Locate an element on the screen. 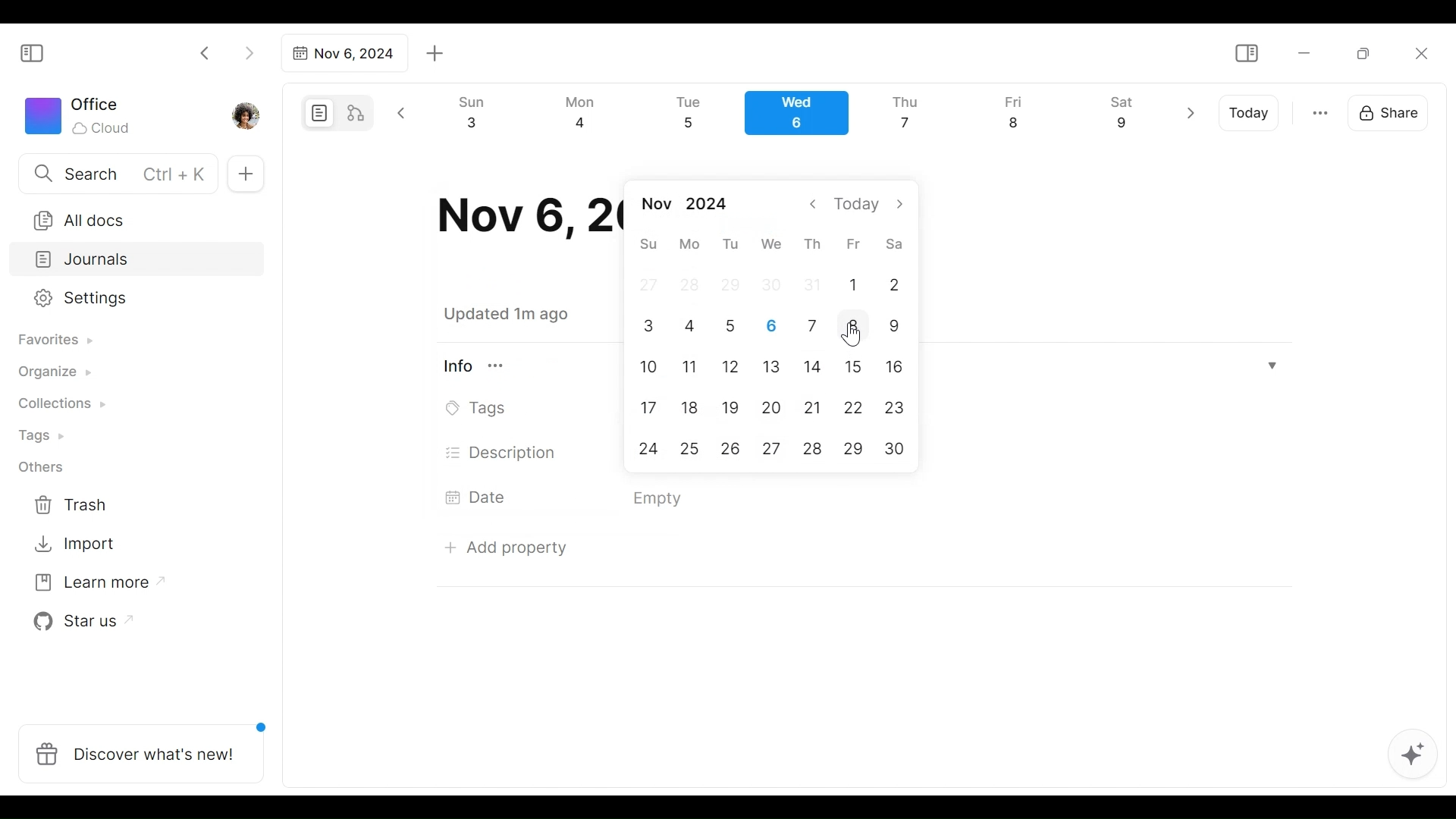 This screenshot has height=819, width=1456. Tab is located at coordinates (342, 53).